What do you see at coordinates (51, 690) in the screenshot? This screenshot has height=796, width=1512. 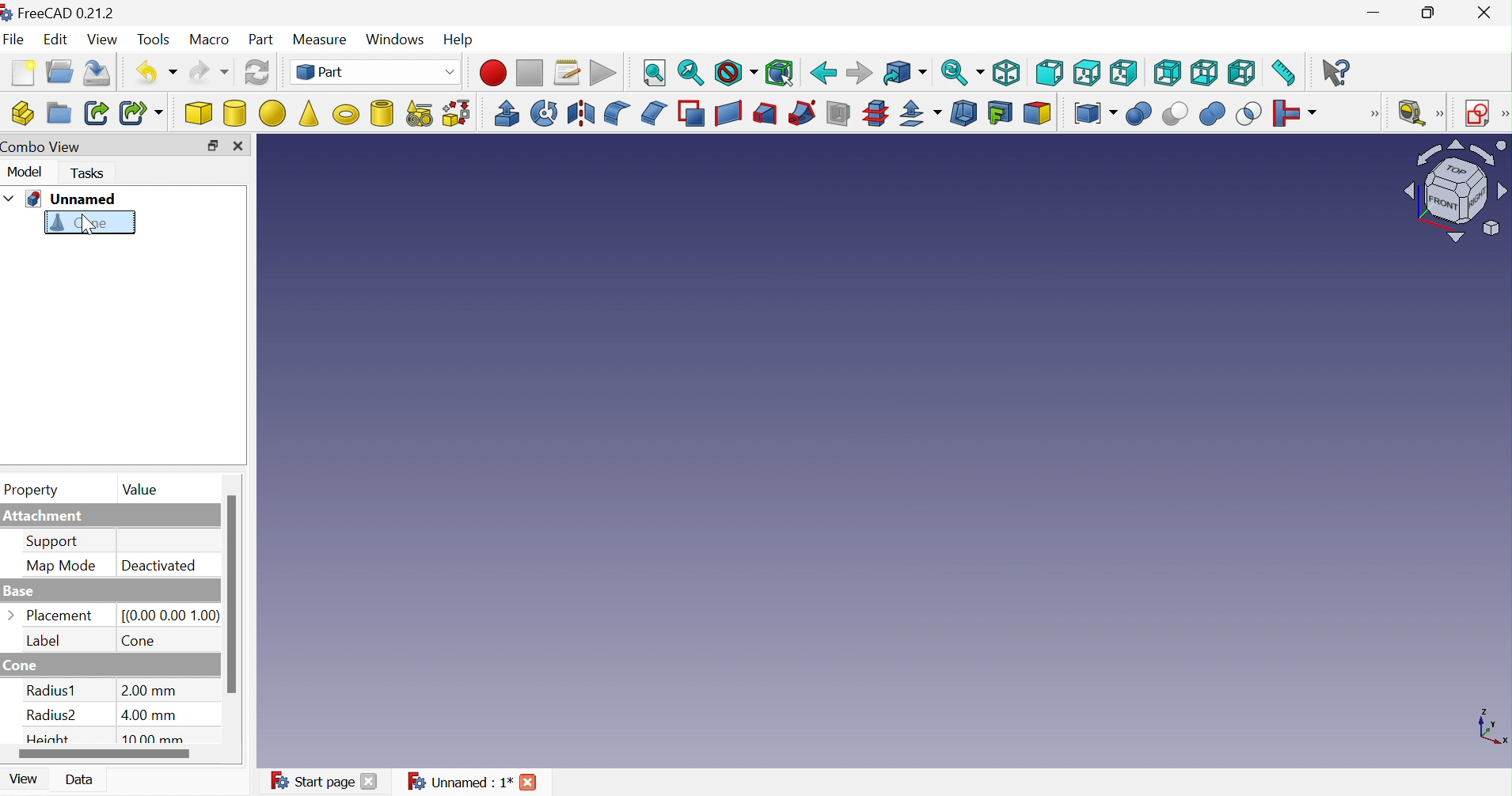 I see `Radius1` at bounding box center [51, 690].